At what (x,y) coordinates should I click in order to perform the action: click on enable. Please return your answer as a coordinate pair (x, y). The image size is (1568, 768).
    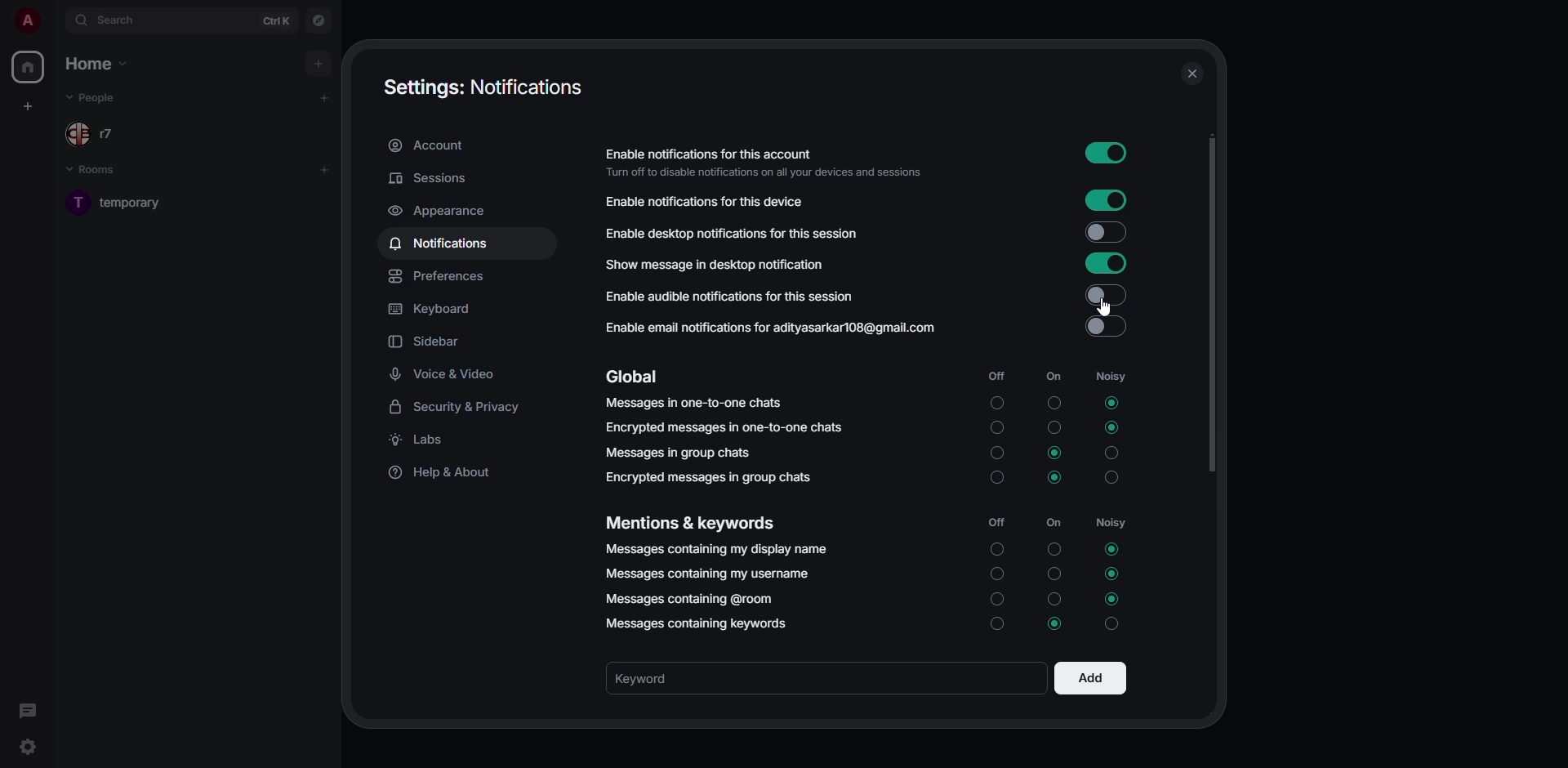
    Looking at the image, I should click on (1109, 201).